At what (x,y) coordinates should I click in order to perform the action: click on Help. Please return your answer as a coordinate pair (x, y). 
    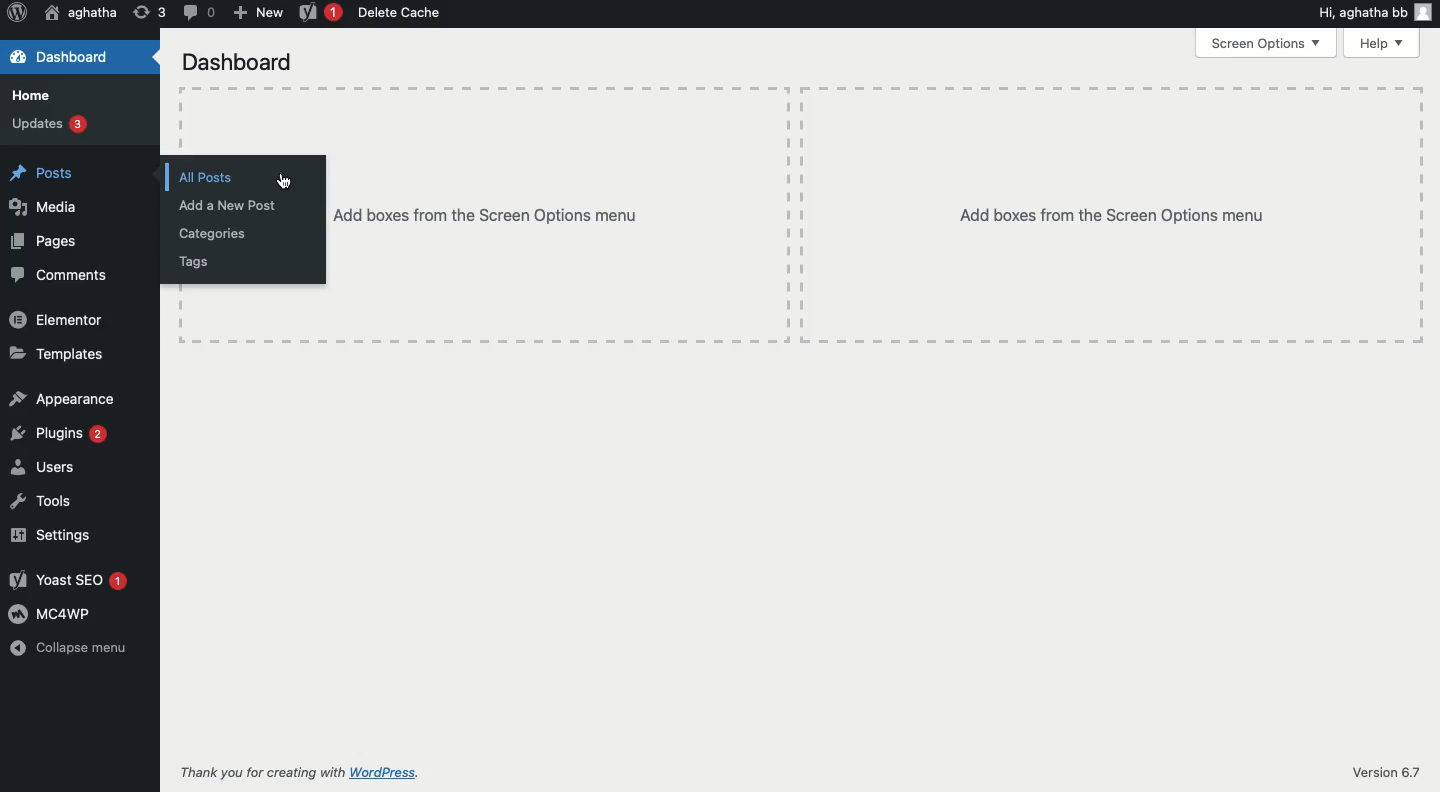
    Looking at the image, I should click on (1380, 43).